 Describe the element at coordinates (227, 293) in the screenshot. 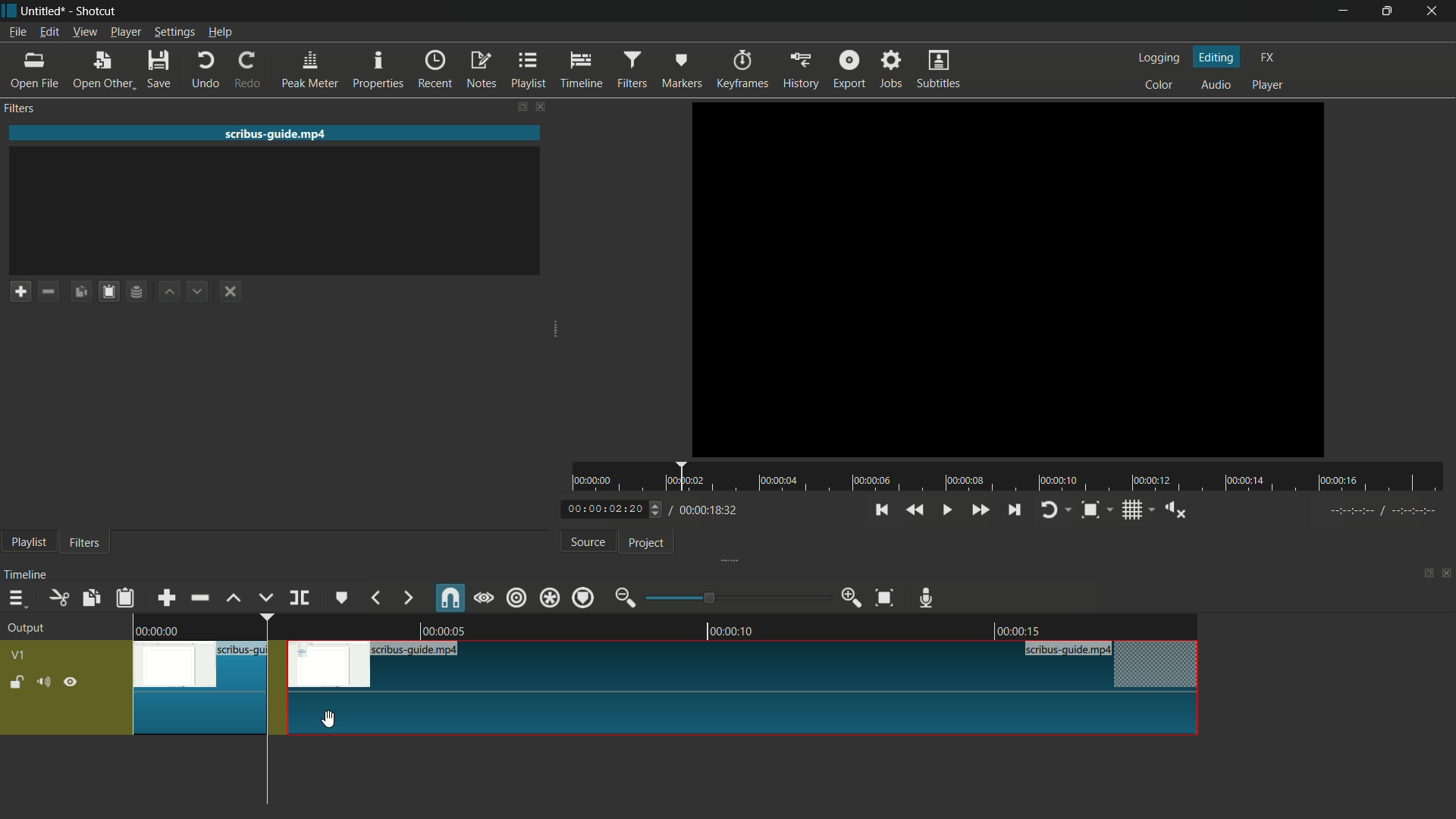

I see `deselect the filter` at that location.